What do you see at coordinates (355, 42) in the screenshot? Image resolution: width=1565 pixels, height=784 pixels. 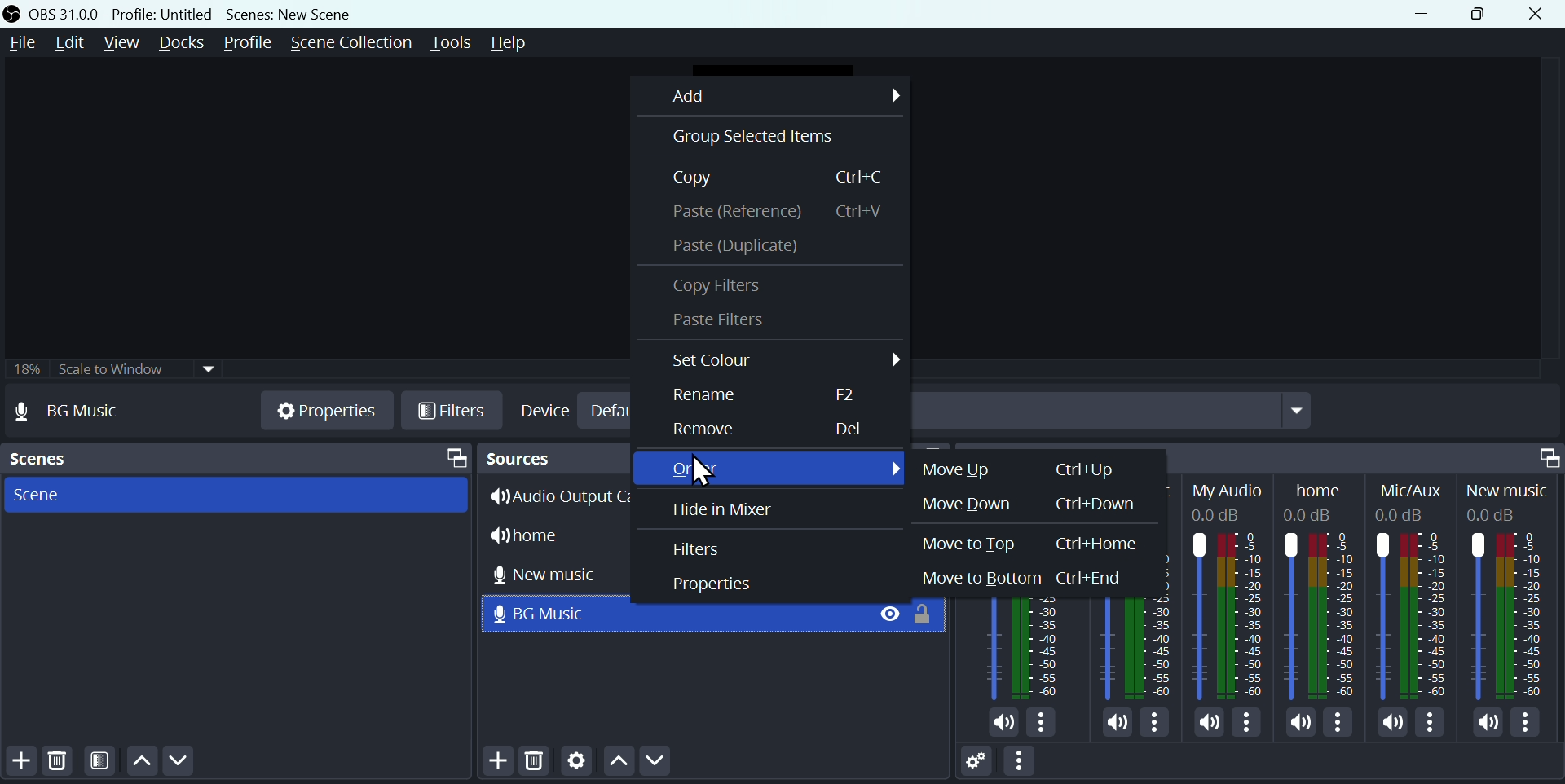 I see `Scene collection` at bounding box center [355, 42].